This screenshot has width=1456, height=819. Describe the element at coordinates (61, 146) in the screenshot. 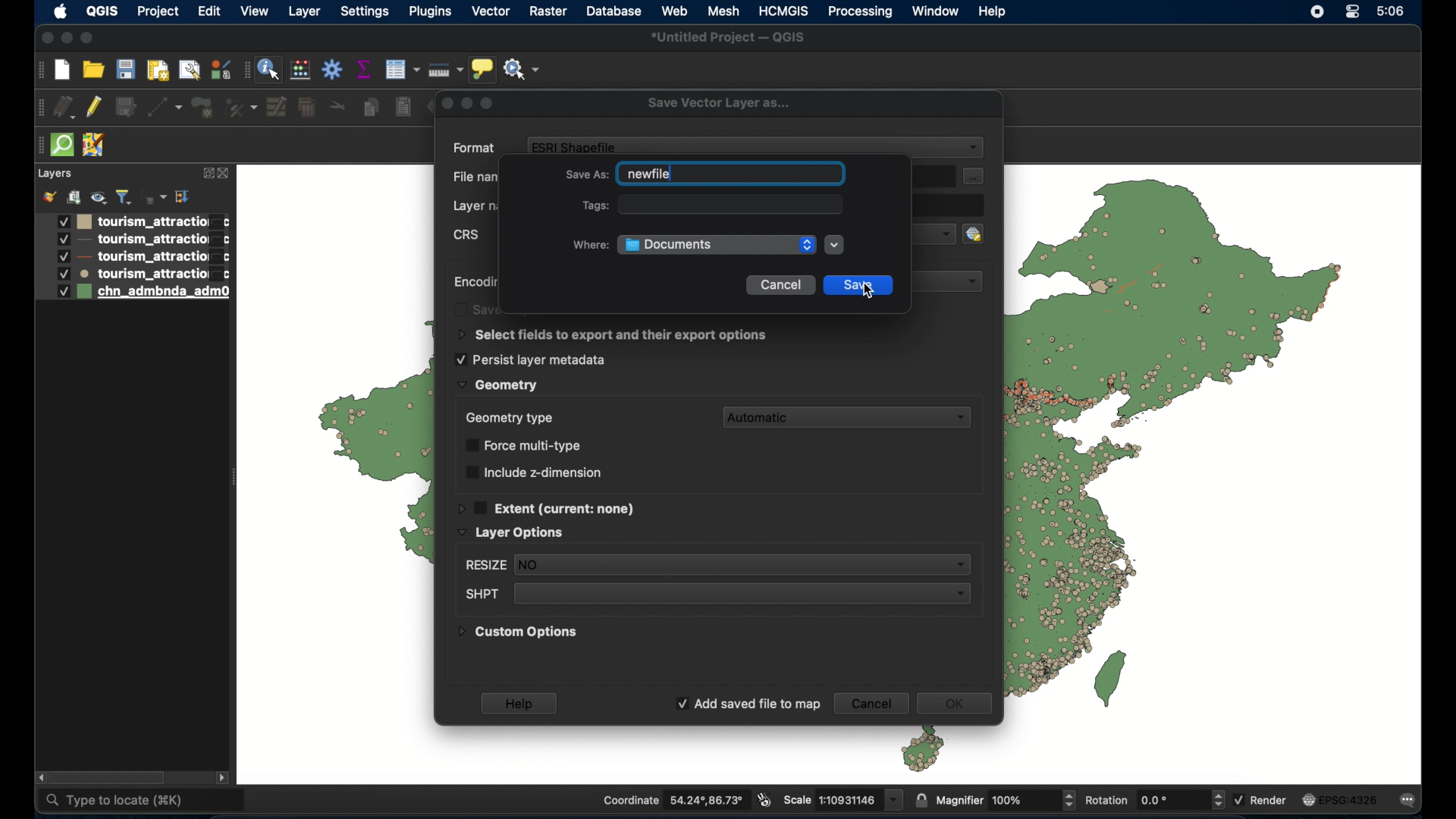

I see `quick osm` at that location.